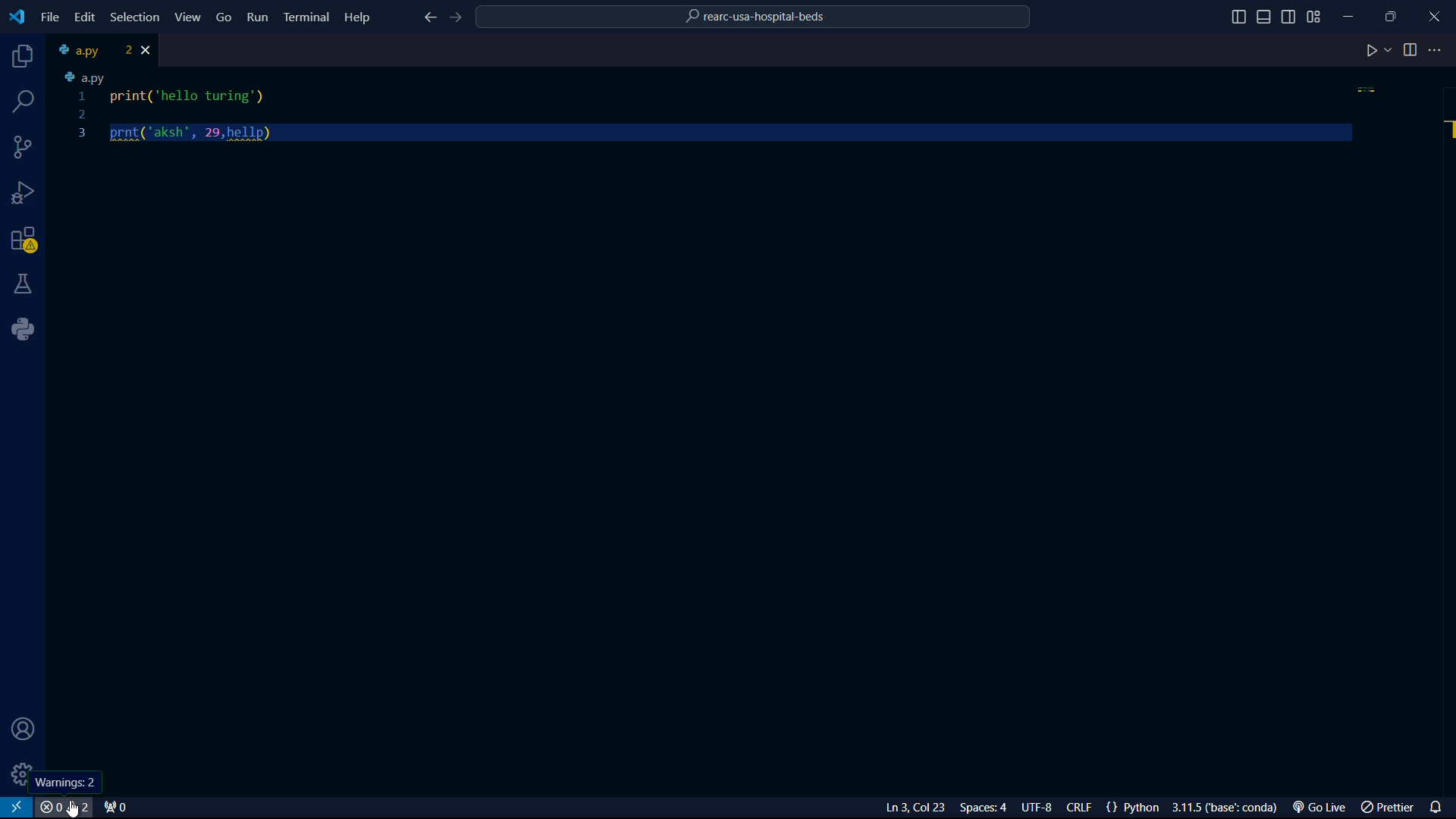  Describe the element at coordinates (987, 808) in the screenshot. I see `Spaces: 4` at that location.